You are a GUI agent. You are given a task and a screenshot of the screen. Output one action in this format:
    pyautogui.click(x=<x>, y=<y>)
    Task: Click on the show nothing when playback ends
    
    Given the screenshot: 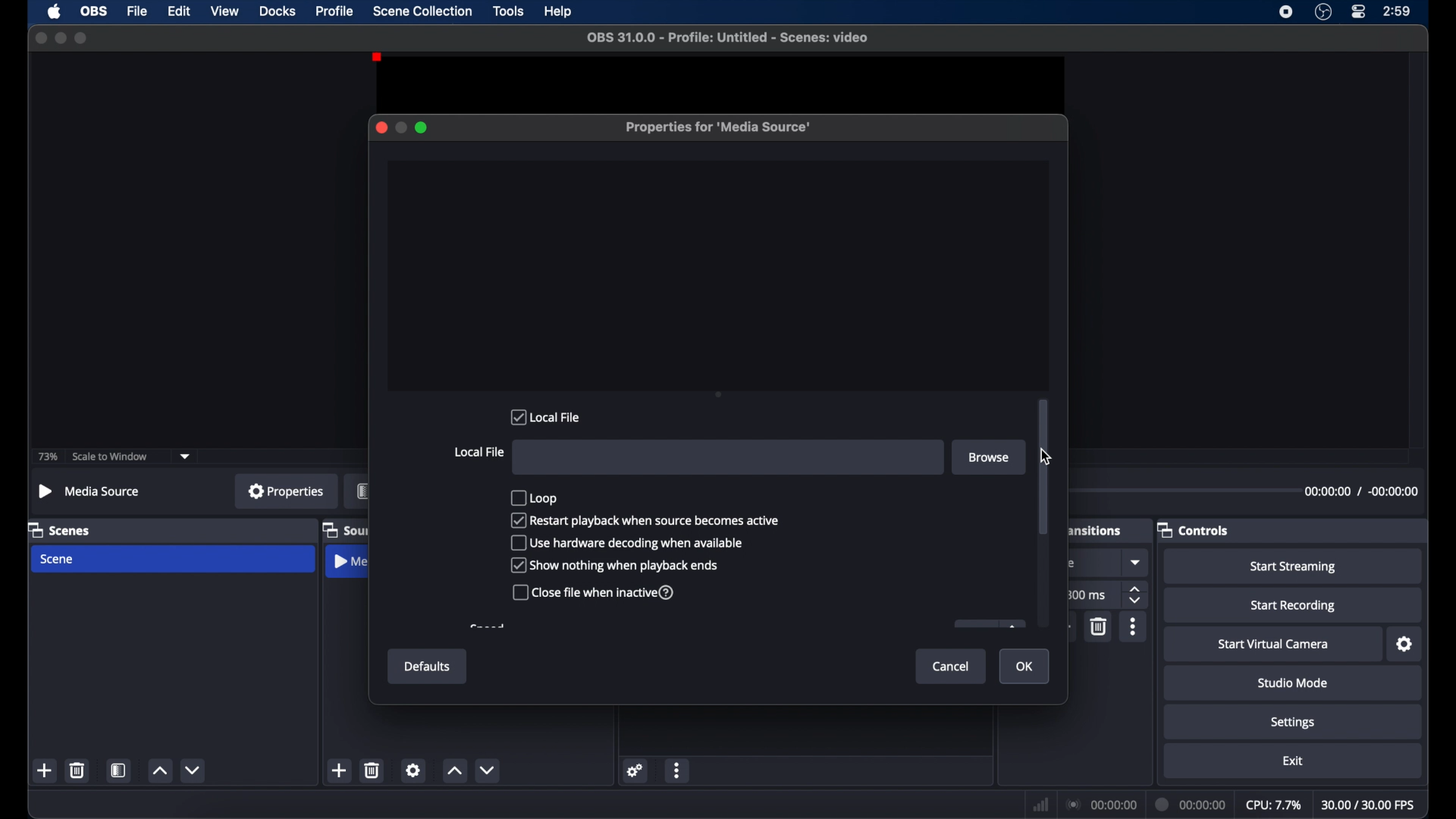 What is the action you would take?
    pyautogui.click(x=615, y=566)
    